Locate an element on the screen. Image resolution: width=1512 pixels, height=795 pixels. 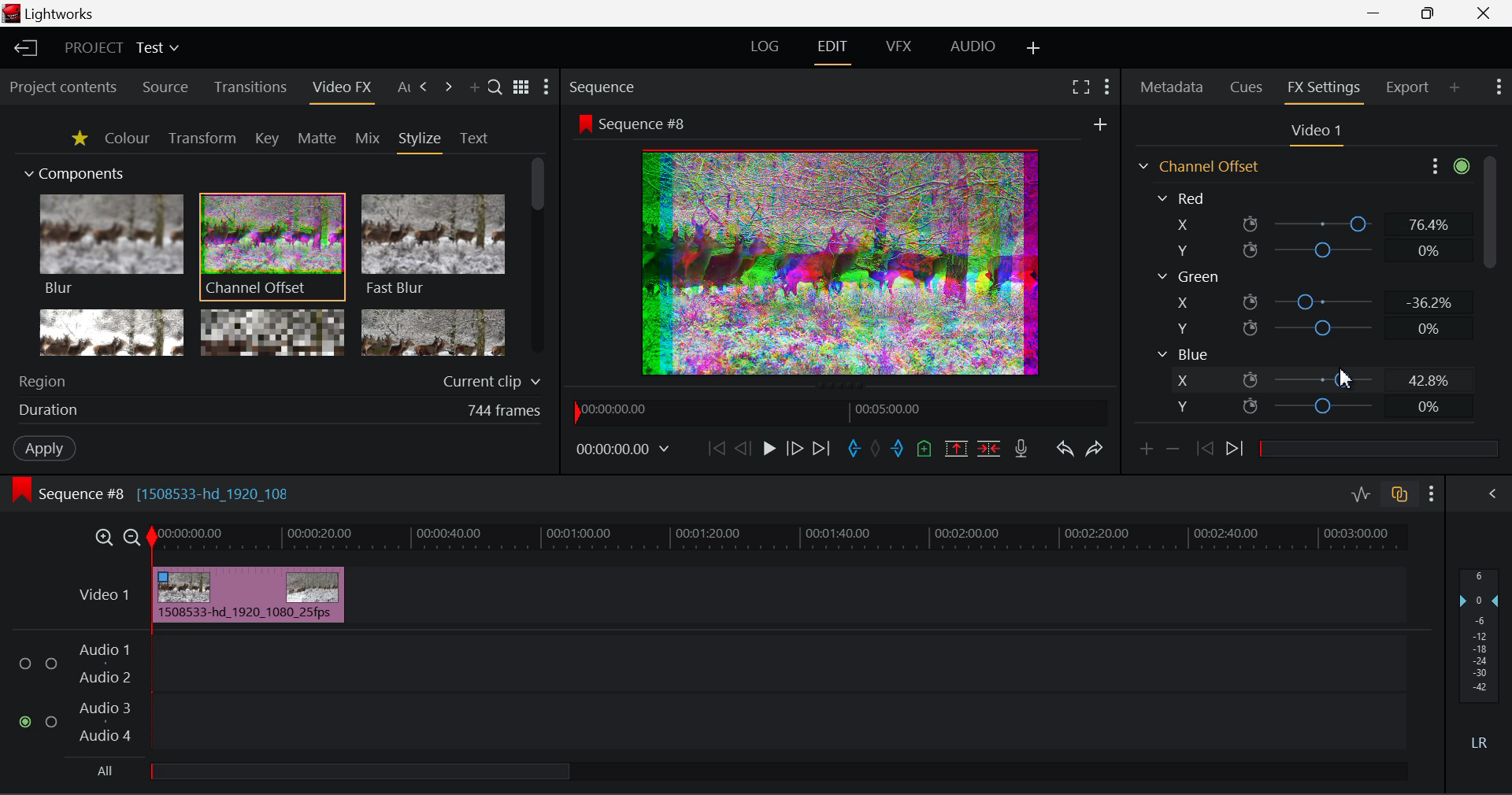
Next keyframe is located at coordinates (1237, 451).